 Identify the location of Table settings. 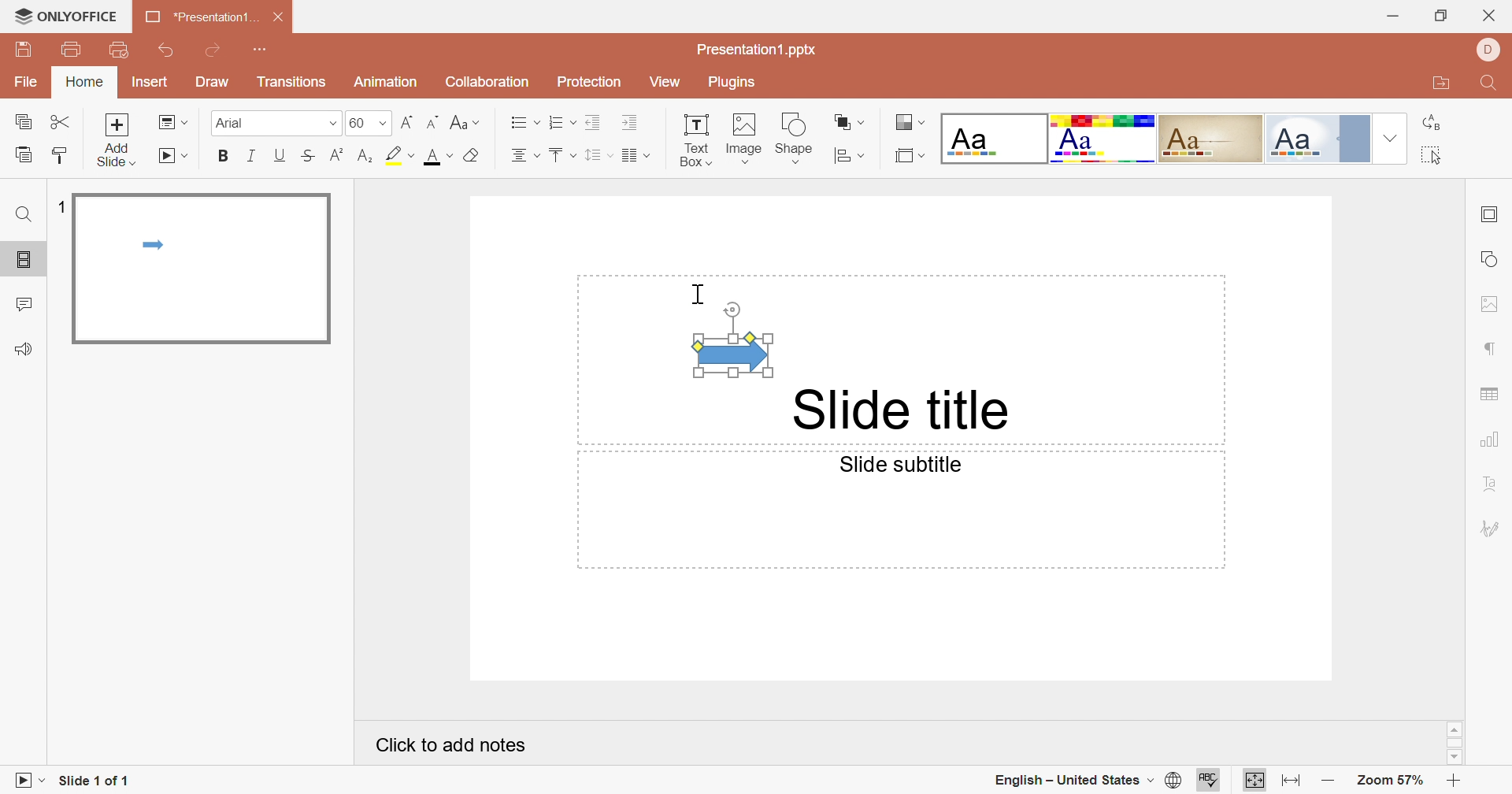
(1489, 395).